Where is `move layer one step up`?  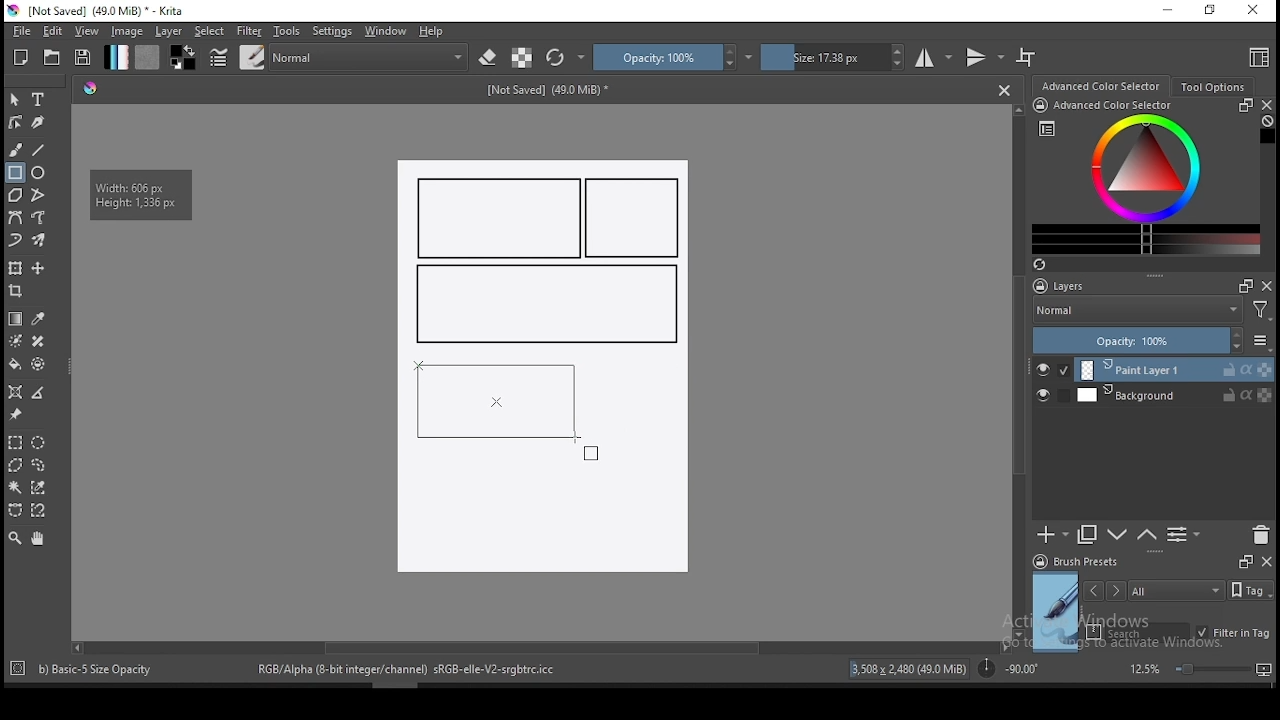 move layer one step up is located at coordinates (1118, 537).